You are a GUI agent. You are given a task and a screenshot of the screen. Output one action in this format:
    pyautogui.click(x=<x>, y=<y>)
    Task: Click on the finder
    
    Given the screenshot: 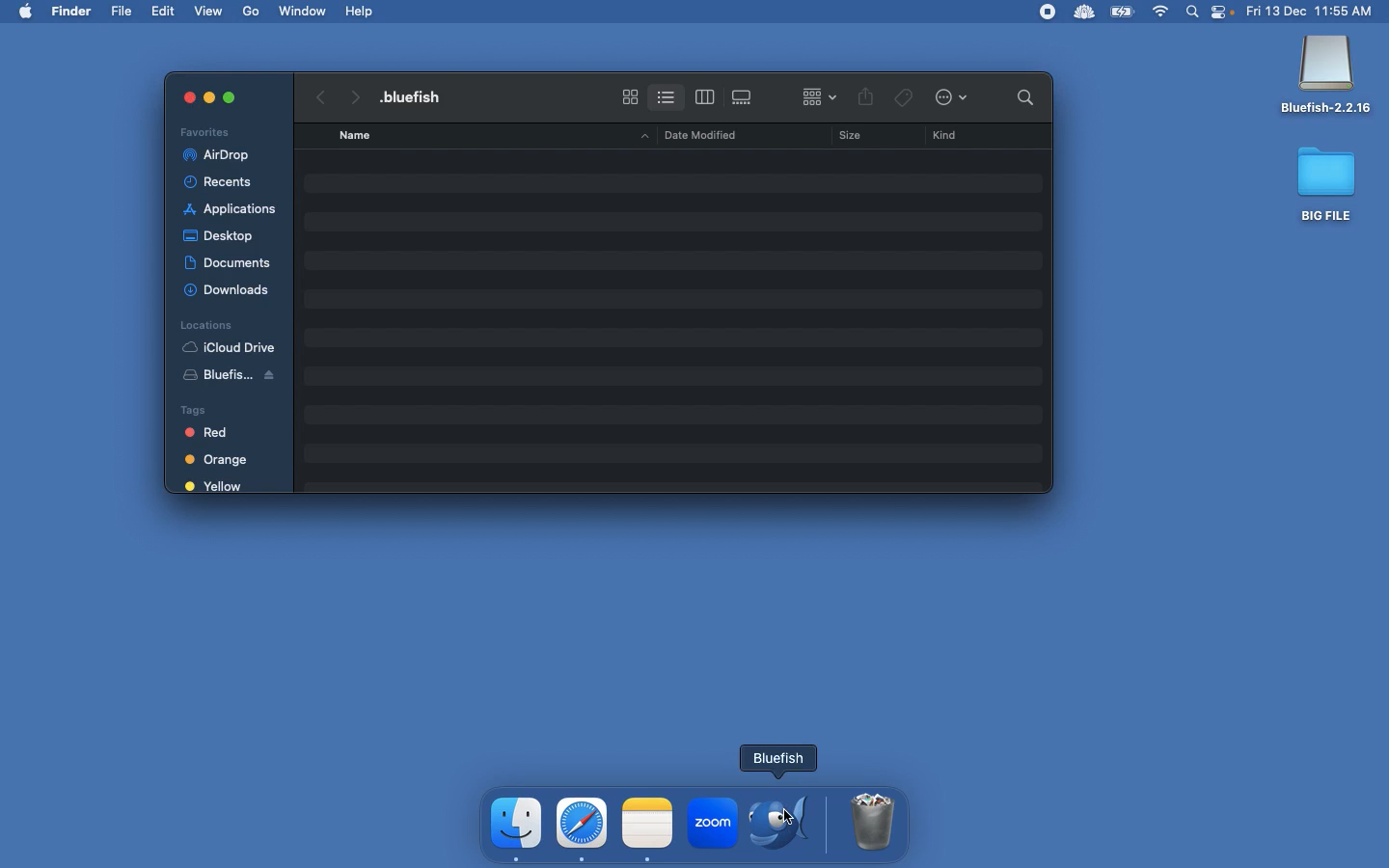 What is the action you would take?
    pyautogui.click(x=518, y=824)
    